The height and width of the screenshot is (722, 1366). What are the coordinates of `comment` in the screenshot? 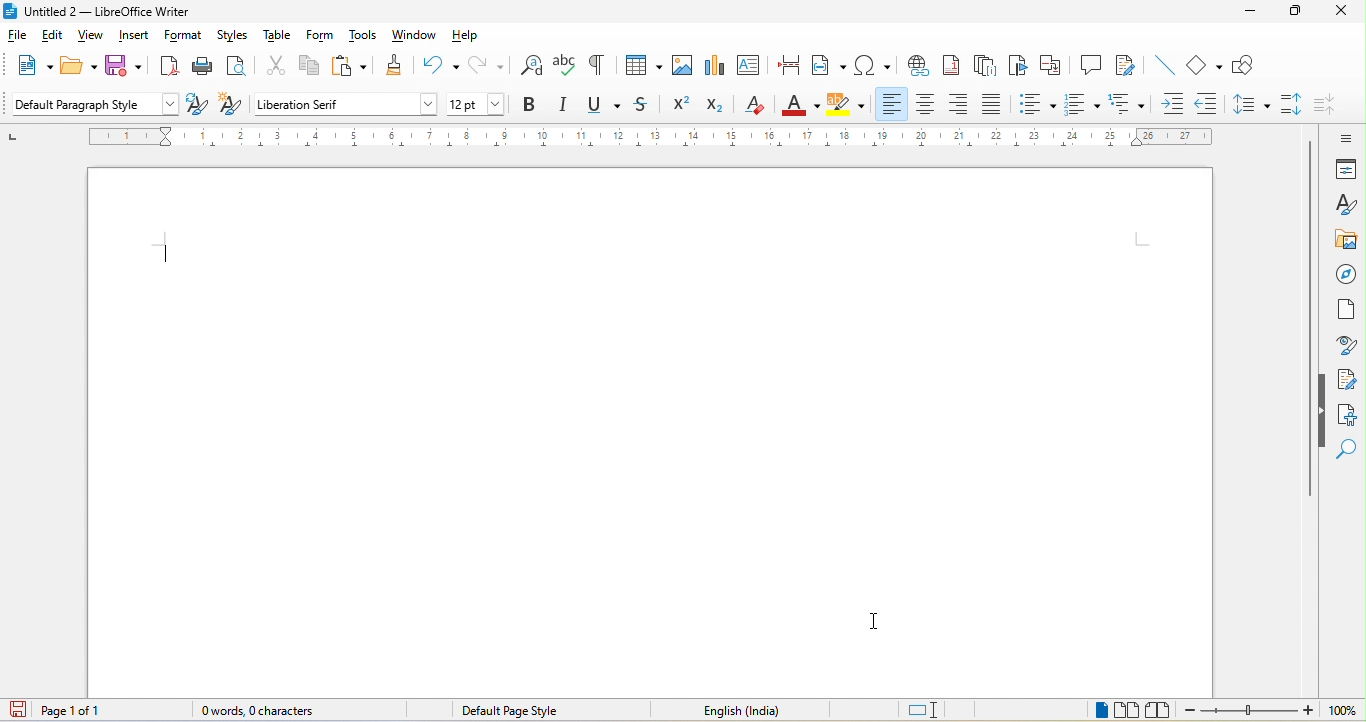 It's located at (1088, 67).